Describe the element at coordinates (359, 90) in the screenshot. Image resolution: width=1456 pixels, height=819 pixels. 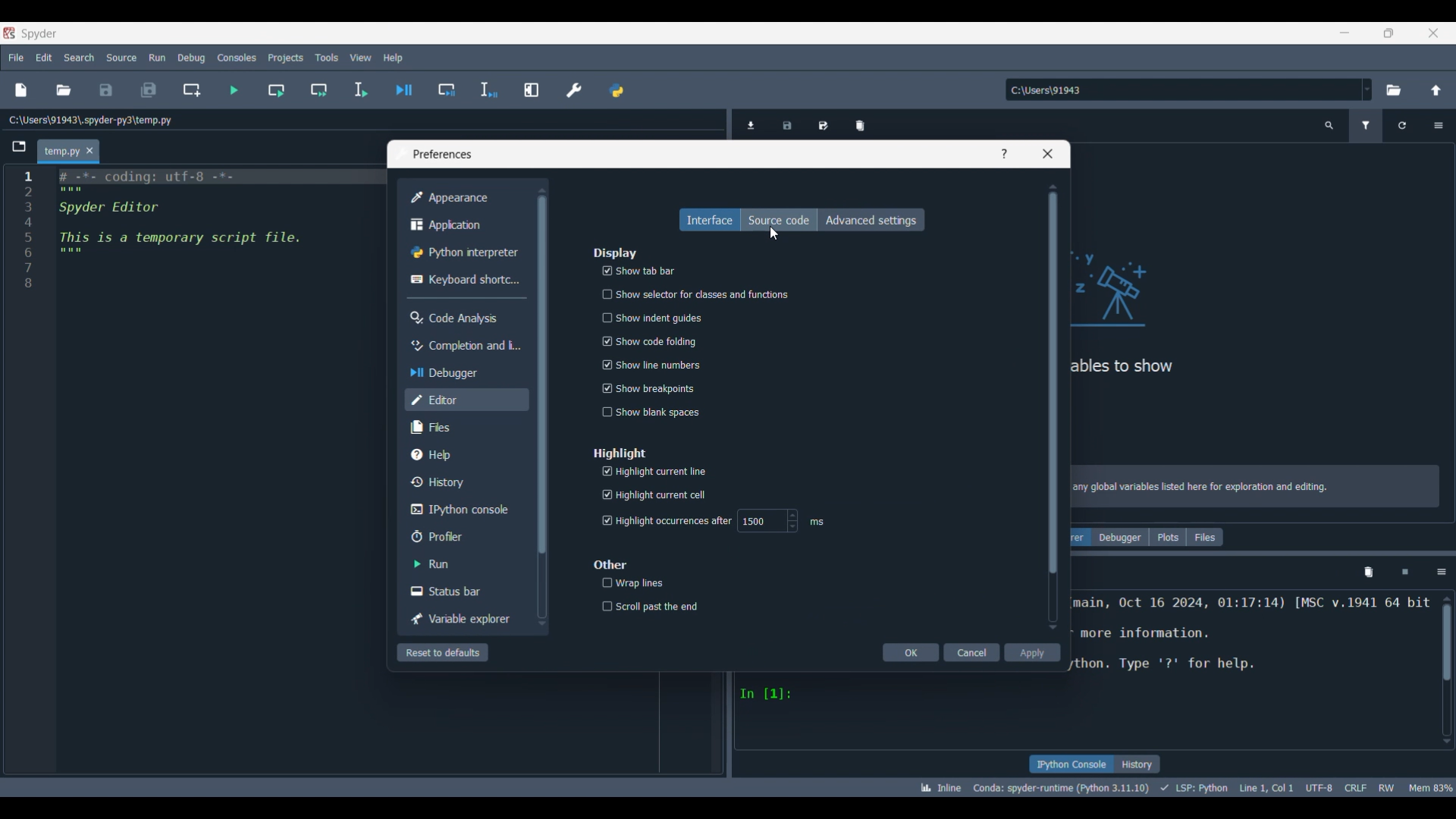
I see `Run selection/current line` at that location.